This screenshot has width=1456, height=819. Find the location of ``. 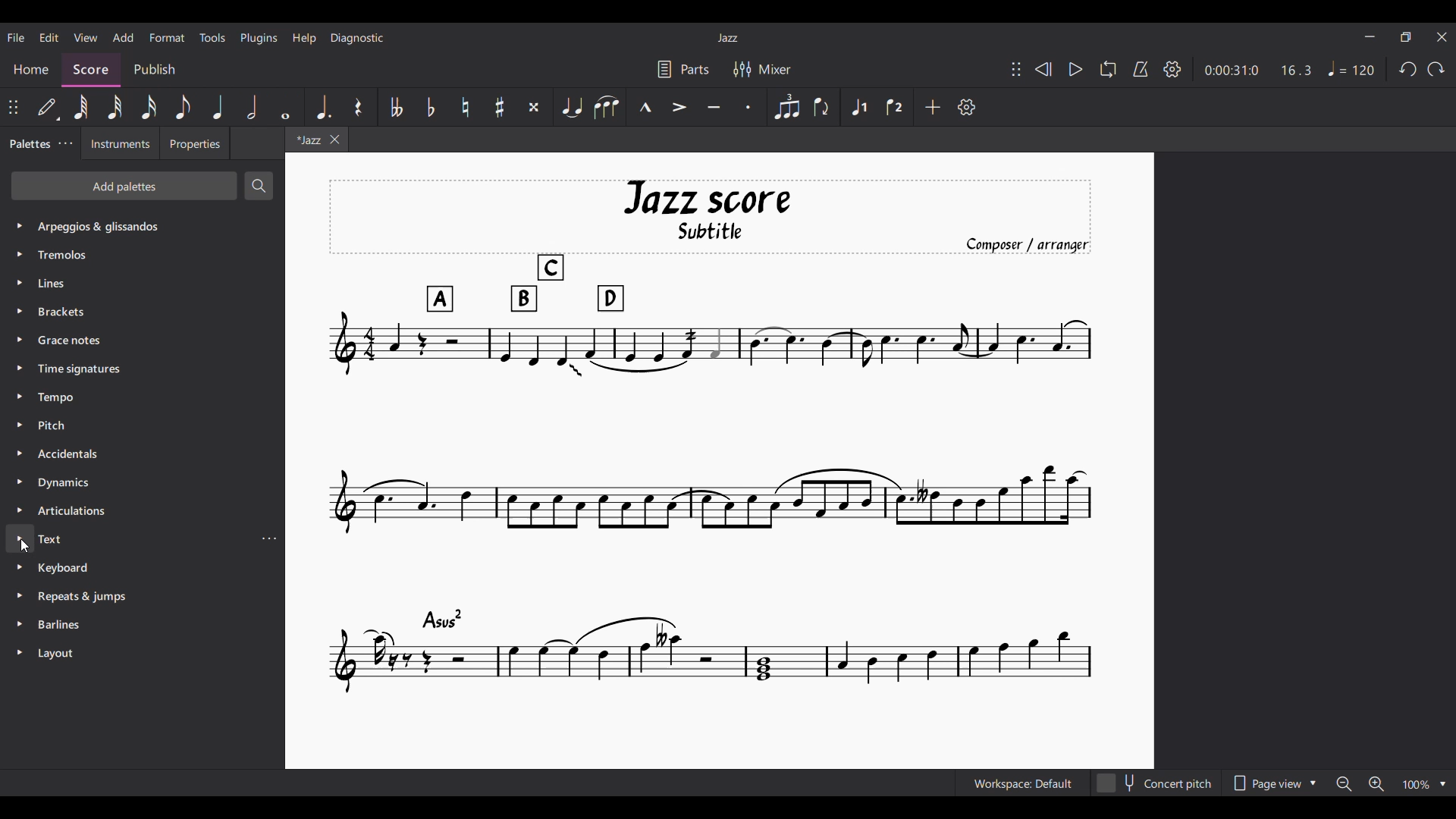

 is located at coordinates (78, 253).